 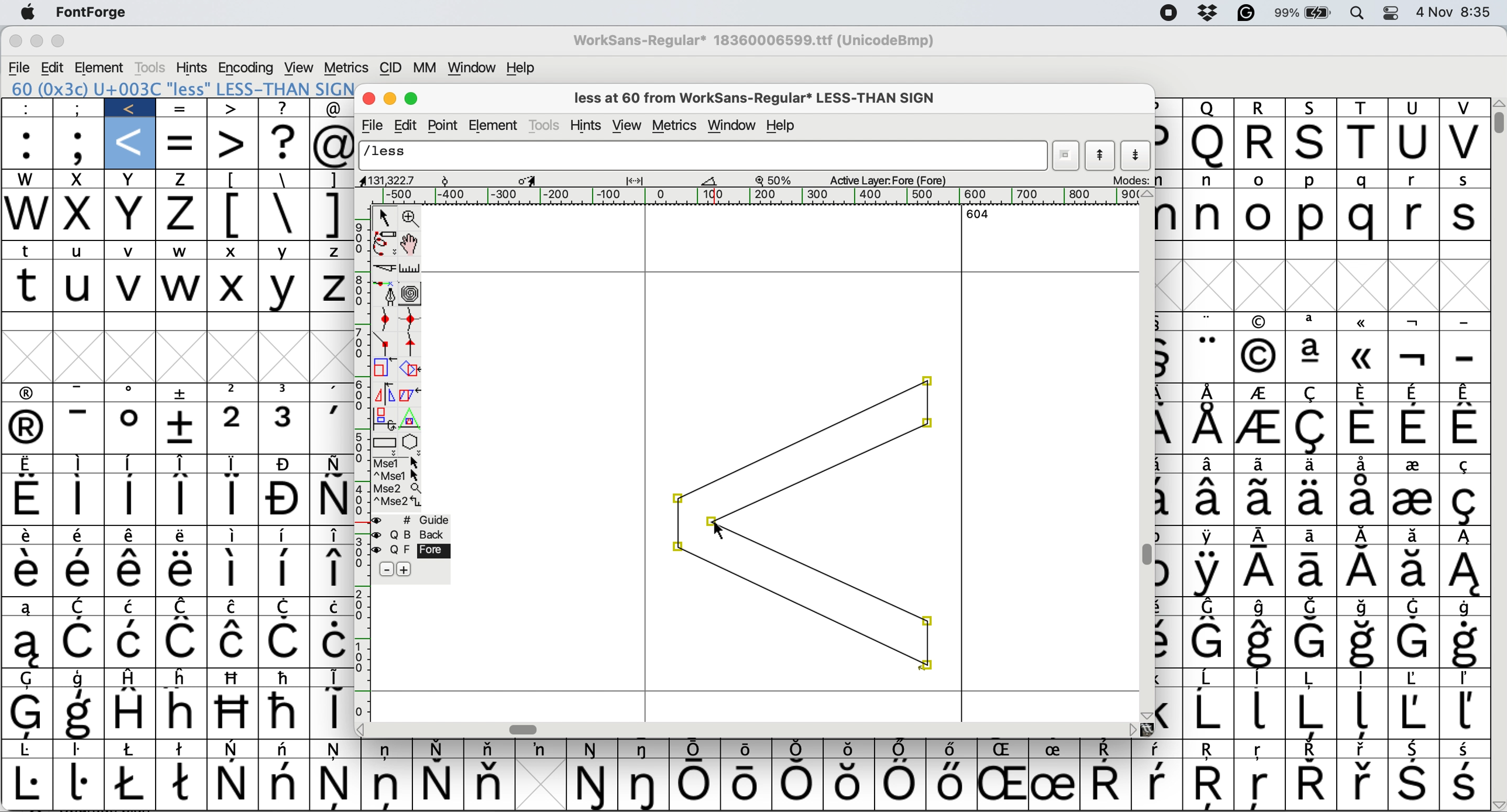 What do you see at coordinates (1264, 320) in the screenshot?
I see `Symbol` at bounding box center [1264, 320].